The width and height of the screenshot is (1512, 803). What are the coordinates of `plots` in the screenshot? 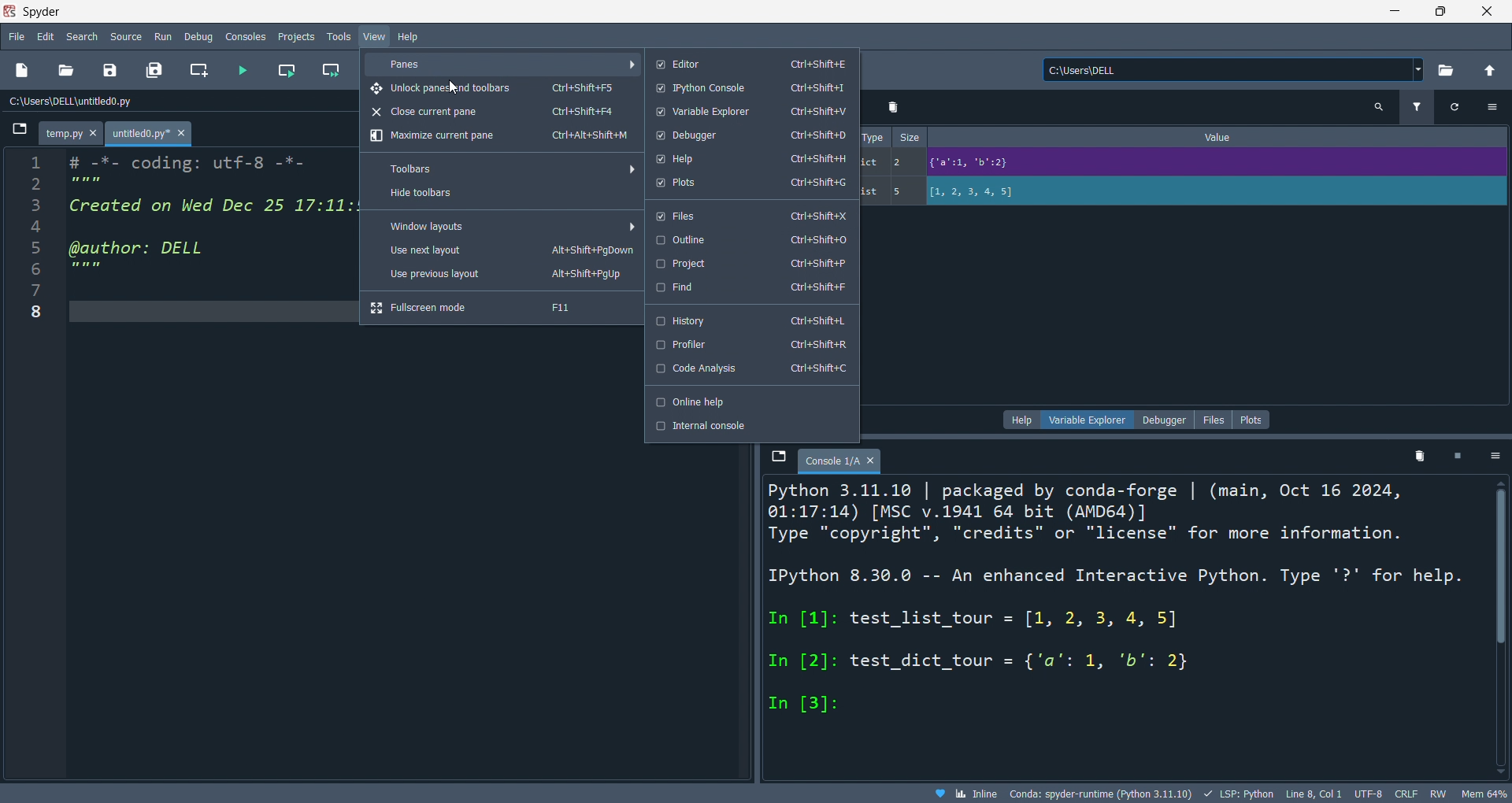 It's located at (748, 184).